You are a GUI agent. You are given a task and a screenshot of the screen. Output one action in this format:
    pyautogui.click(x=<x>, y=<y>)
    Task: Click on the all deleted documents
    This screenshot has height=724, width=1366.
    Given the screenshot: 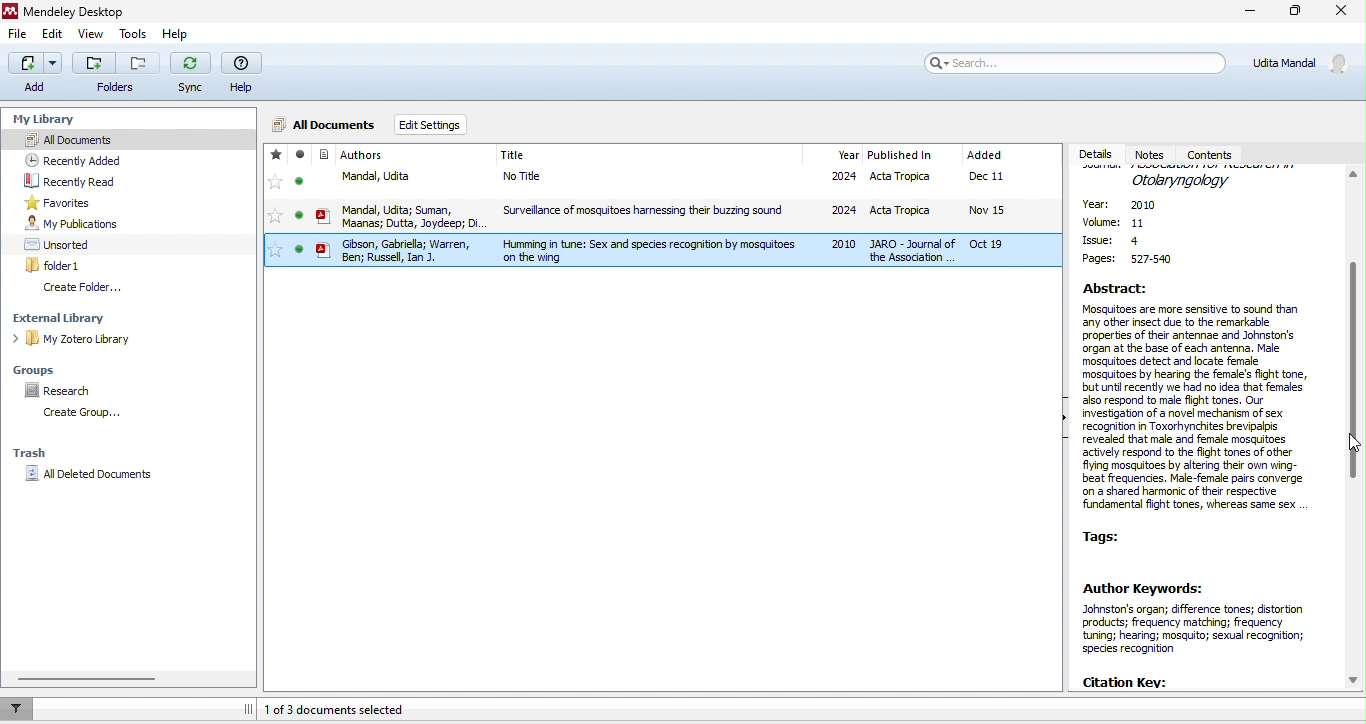 What is the action you would take?
    pyautogui.click(x=94, y=475)
    